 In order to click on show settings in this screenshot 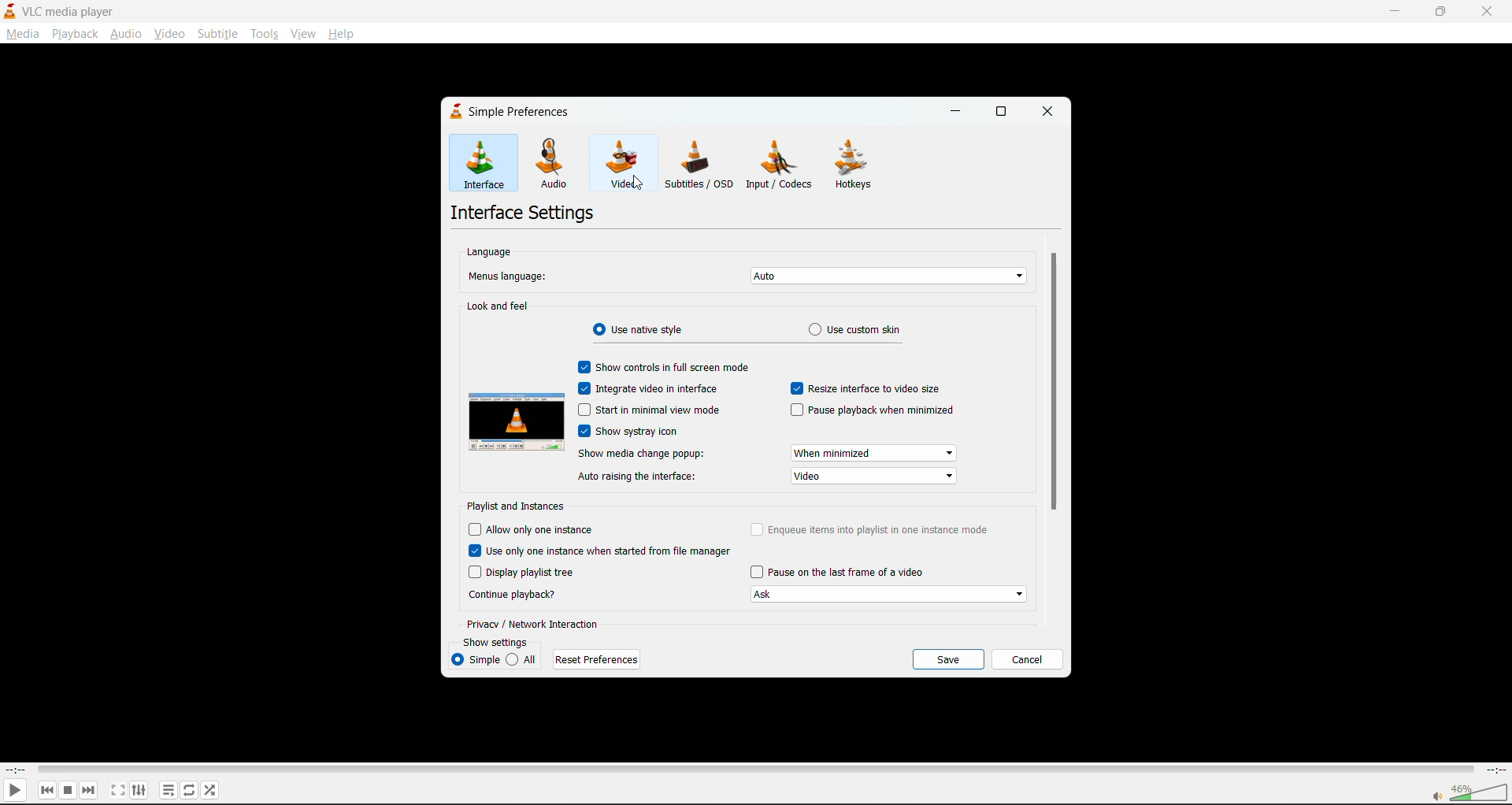, I will do `click(495, 642)`.